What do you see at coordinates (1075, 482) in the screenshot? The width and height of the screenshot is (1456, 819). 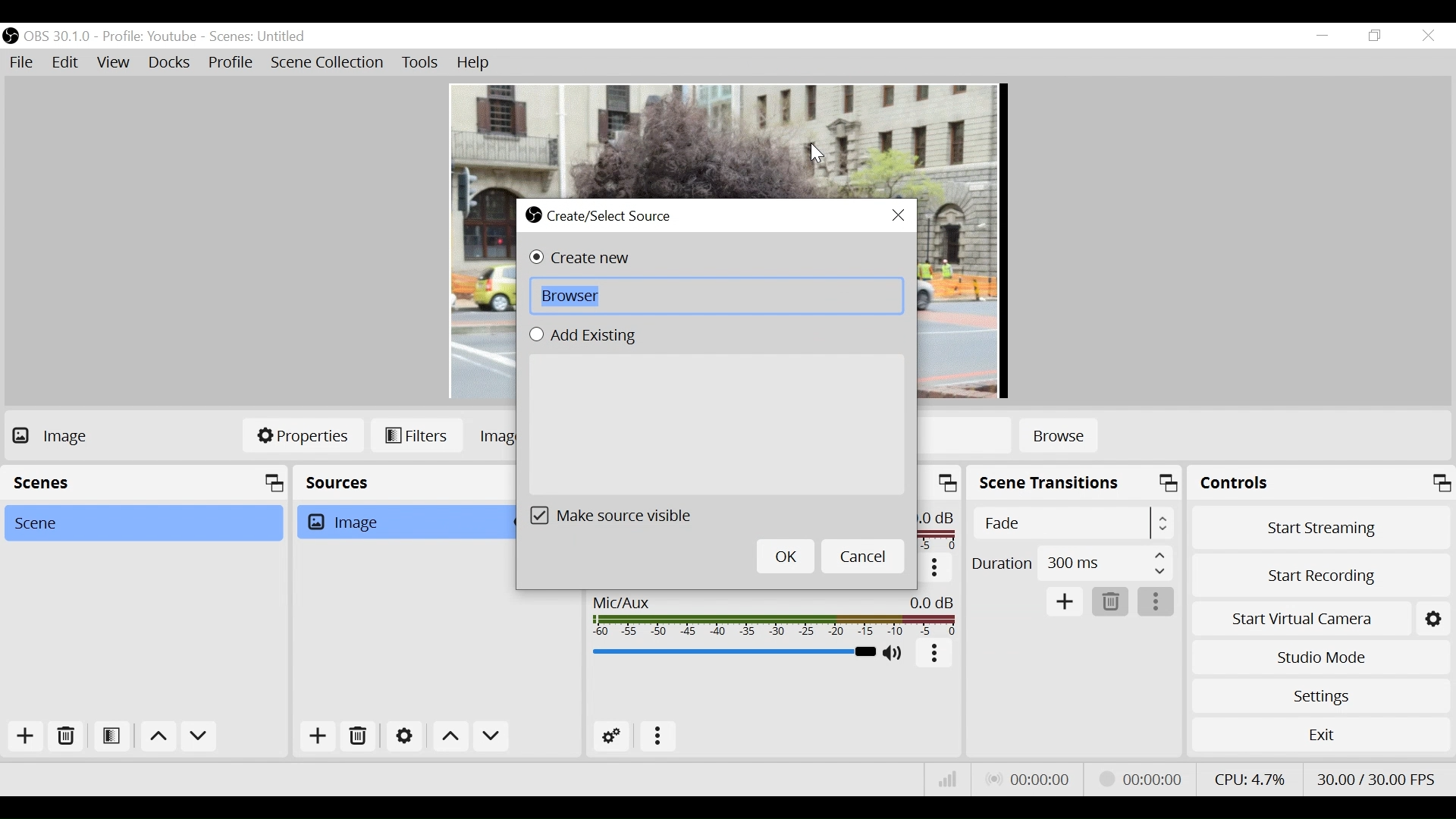 I see `Scene Transition` at bounding box center [1075, 482].